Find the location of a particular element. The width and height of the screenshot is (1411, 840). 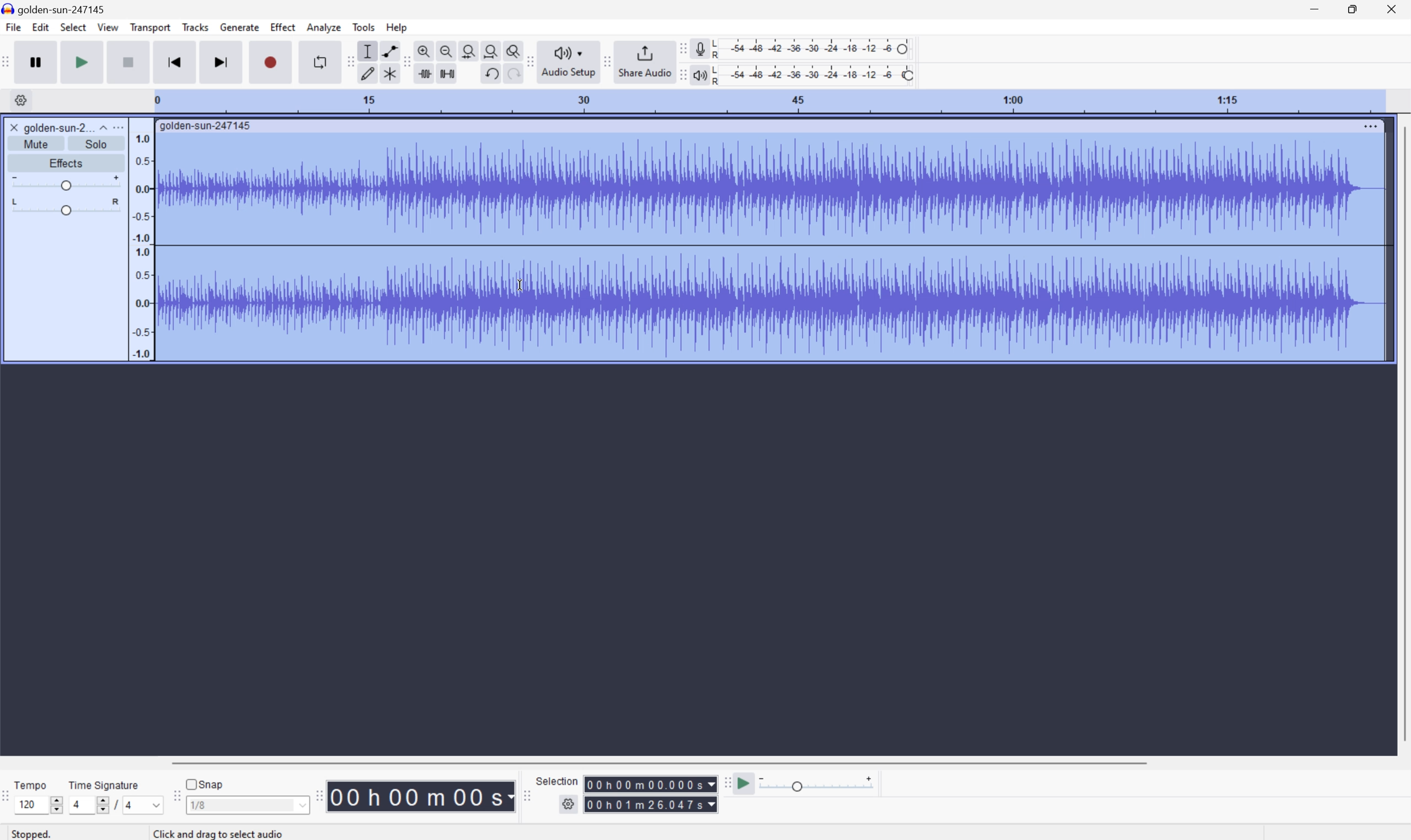

Close is located at coordinates (1392, 8).